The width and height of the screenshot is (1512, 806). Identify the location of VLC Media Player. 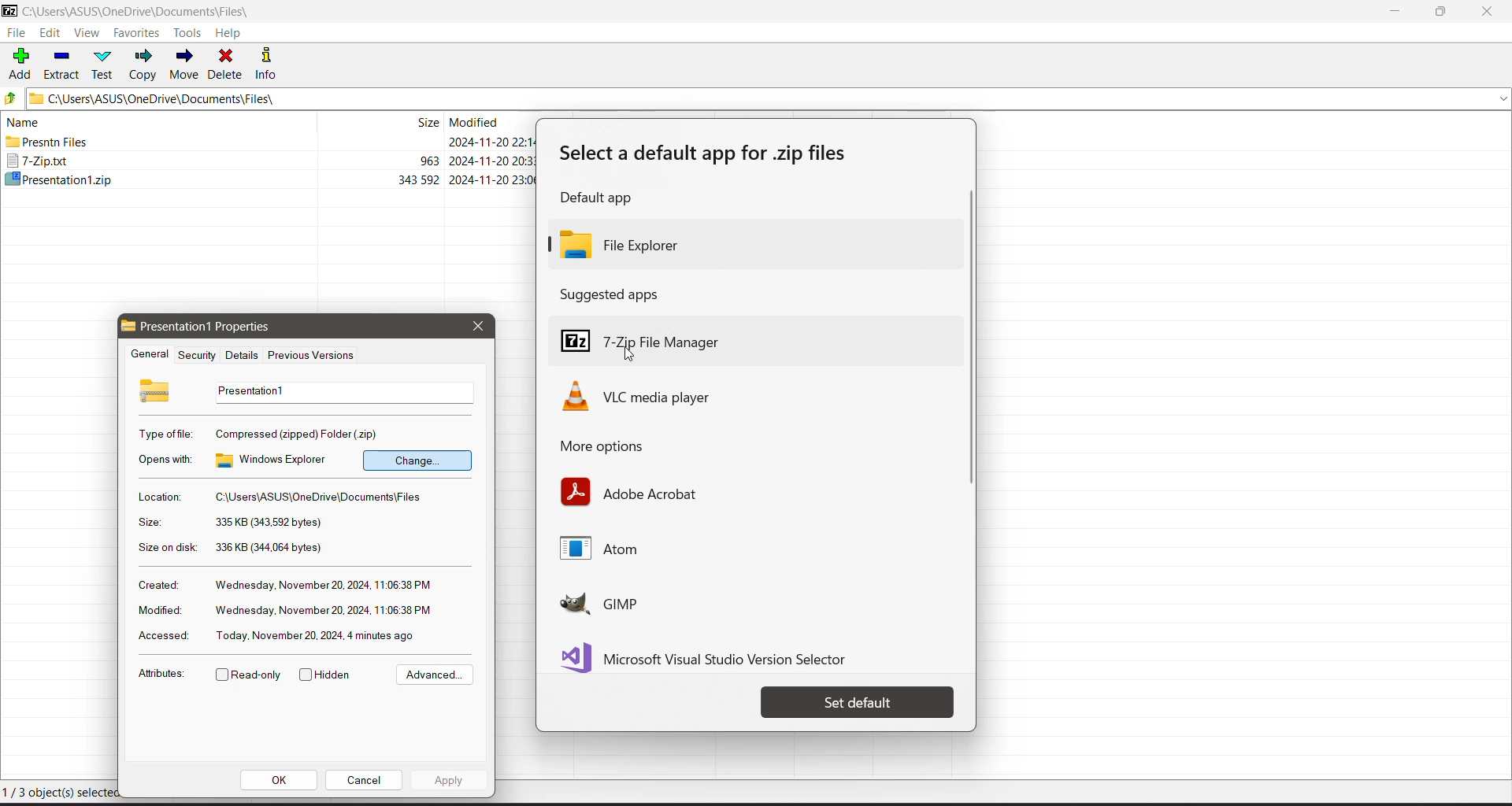
(661, 396).